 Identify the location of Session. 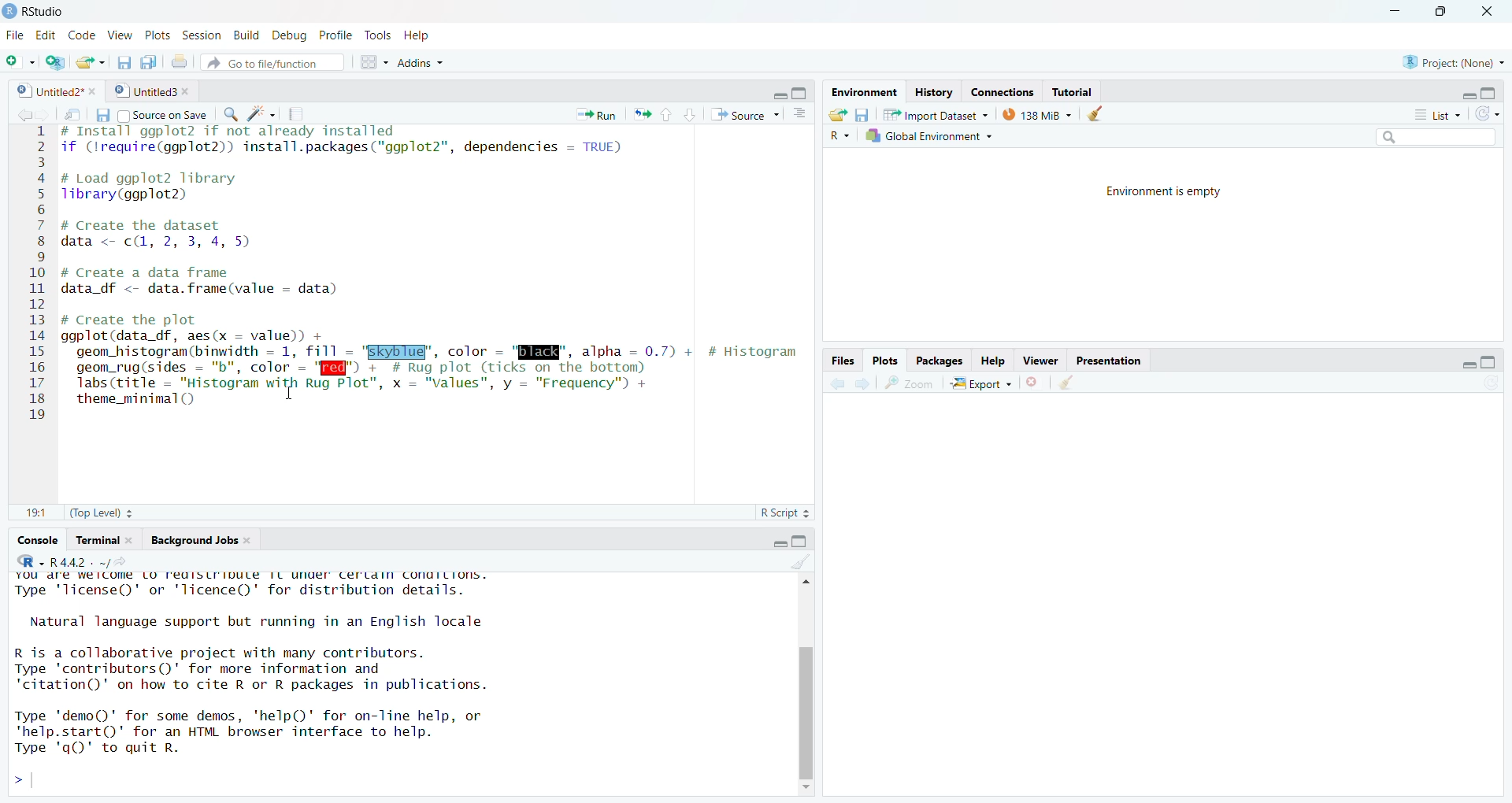
(200, 35).